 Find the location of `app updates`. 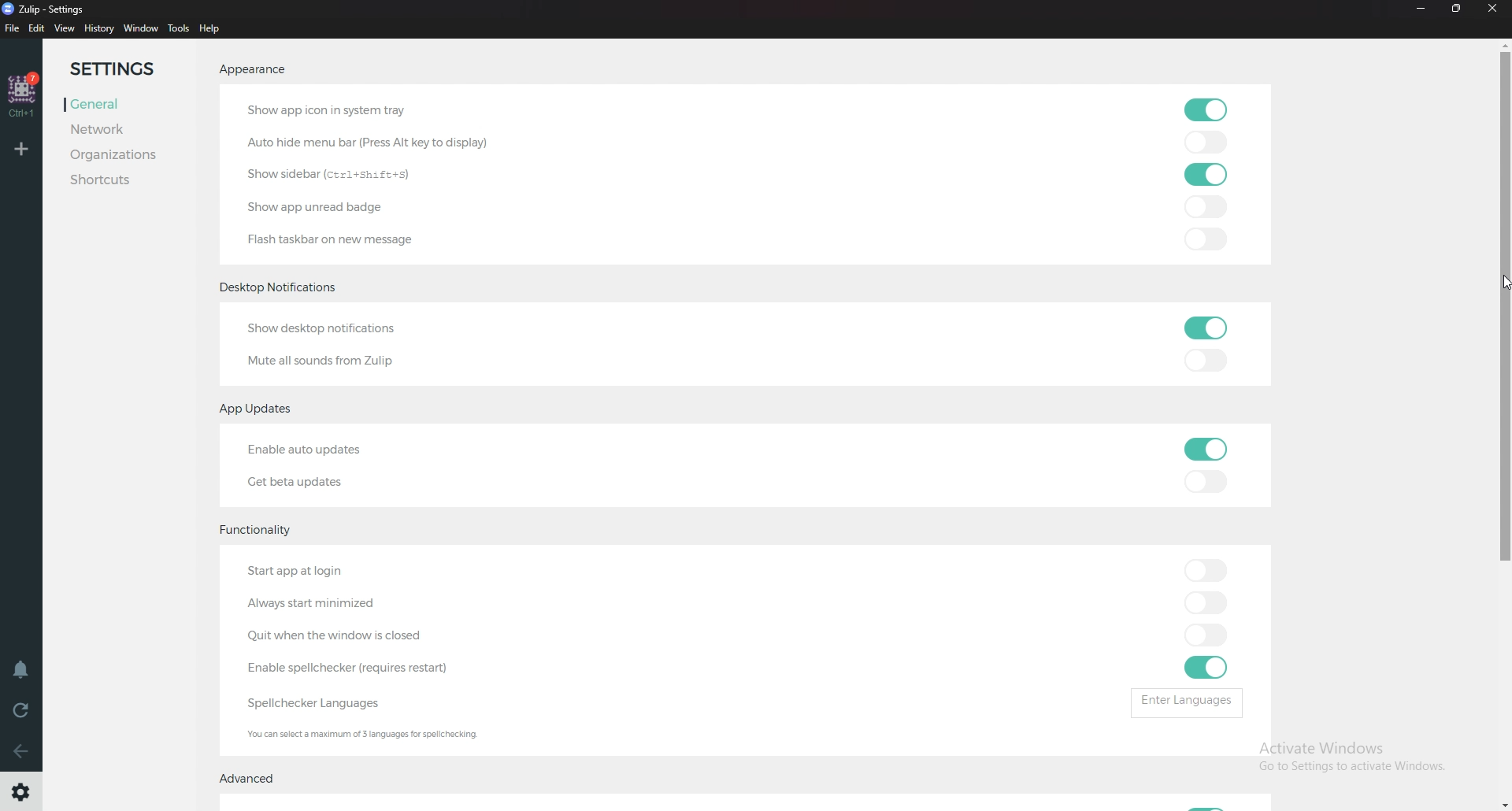

app updates is located at coordinates (261, 410).